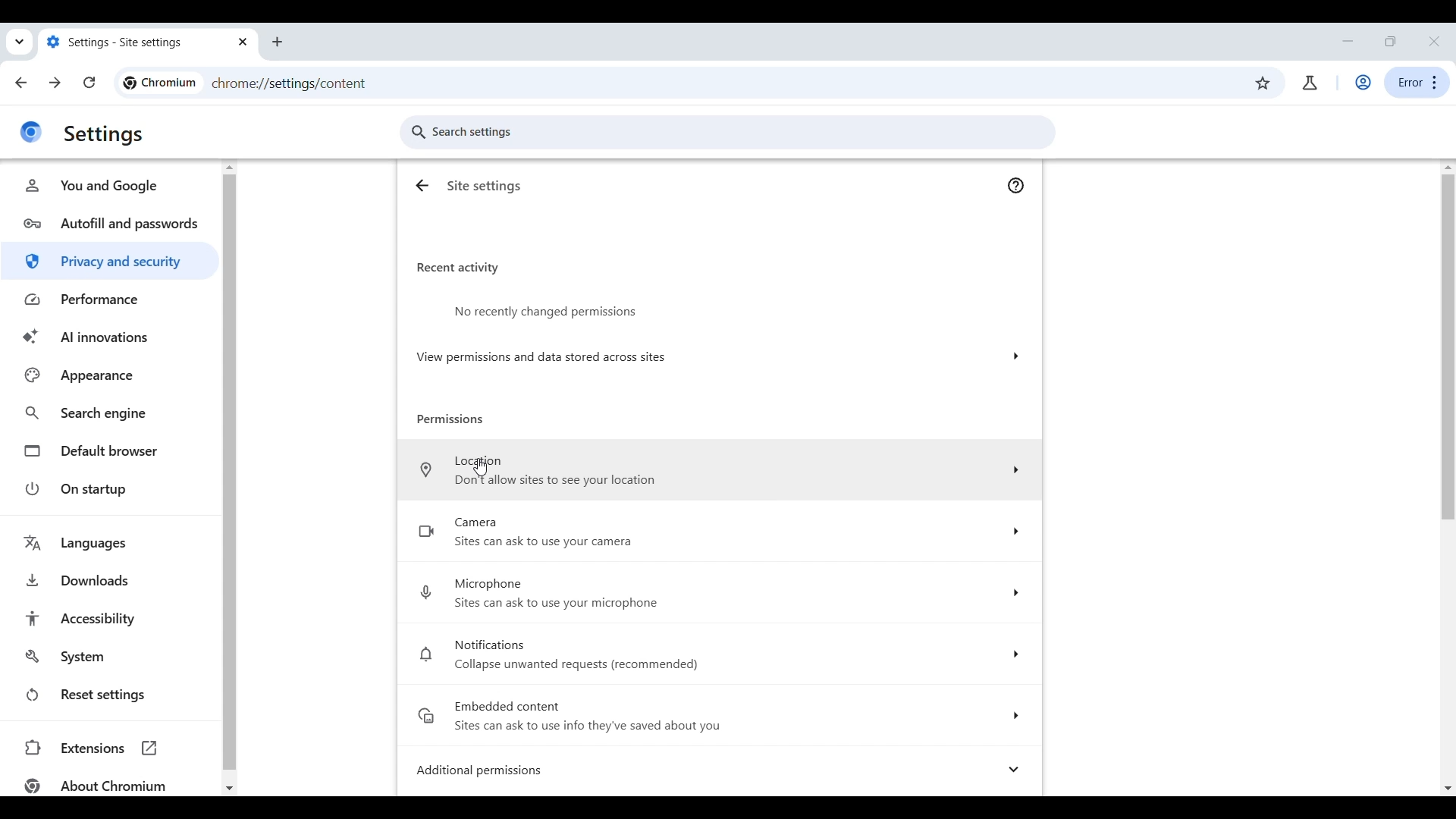 This screenshot has width=1456, height=819. I want to click on Settings, so click(105, 135).